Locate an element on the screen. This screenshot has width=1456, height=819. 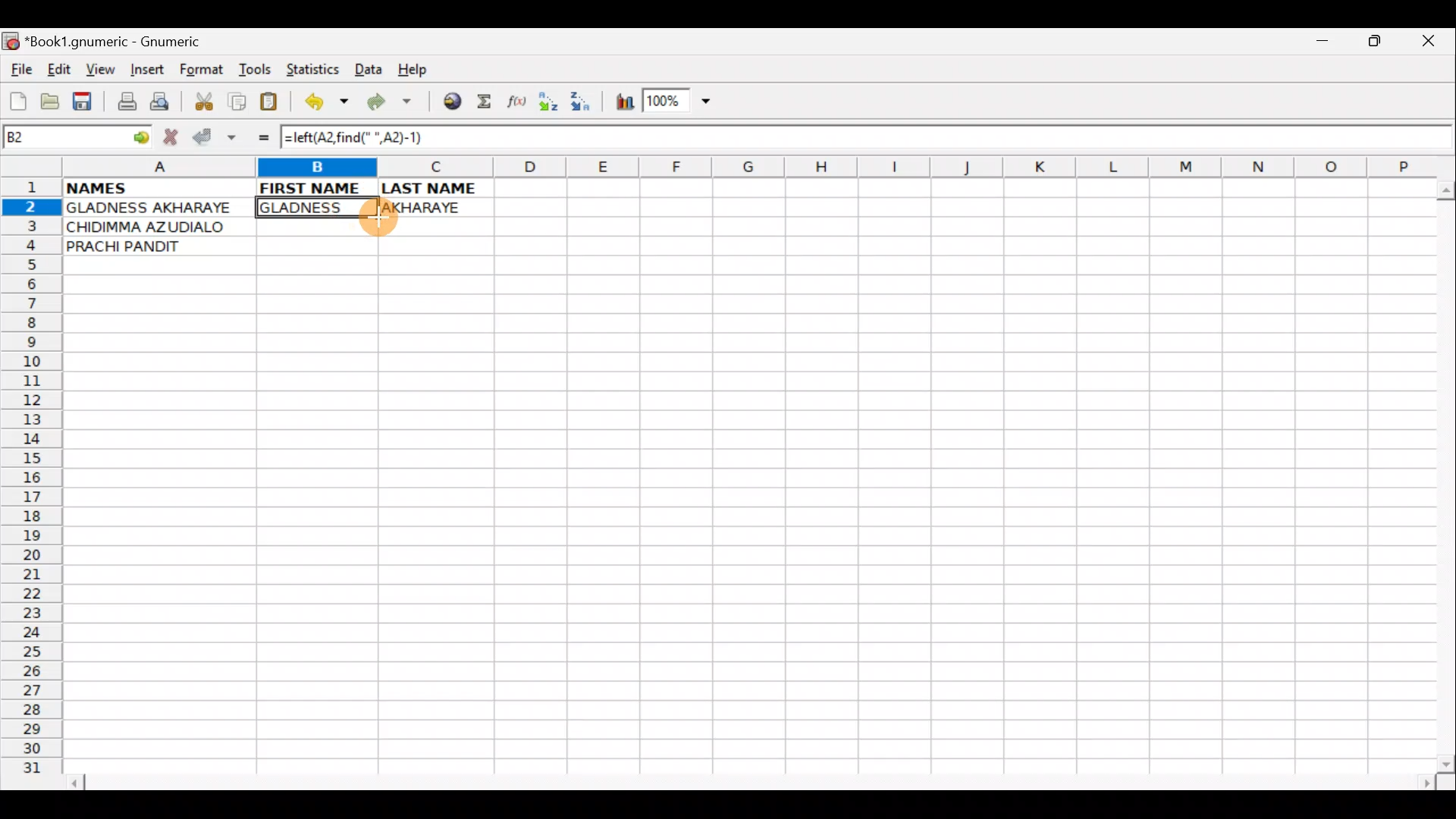
Cells7 is located at coordinates (742, 524).